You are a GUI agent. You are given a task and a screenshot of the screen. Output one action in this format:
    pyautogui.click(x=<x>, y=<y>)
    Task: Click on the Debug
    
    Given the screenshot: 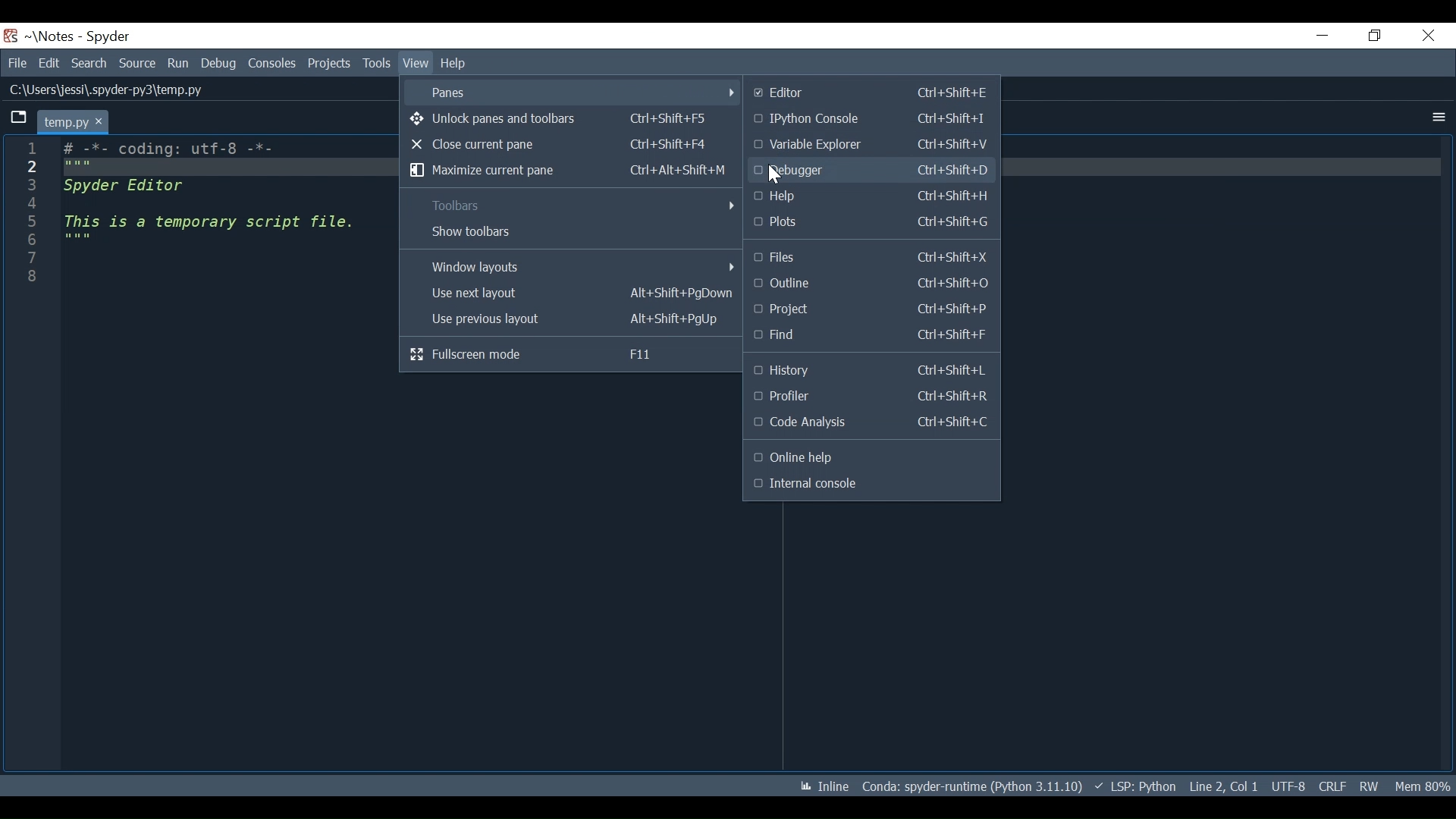 What is the action you would take?
    pyautogui.click(x=218, y=63)
    